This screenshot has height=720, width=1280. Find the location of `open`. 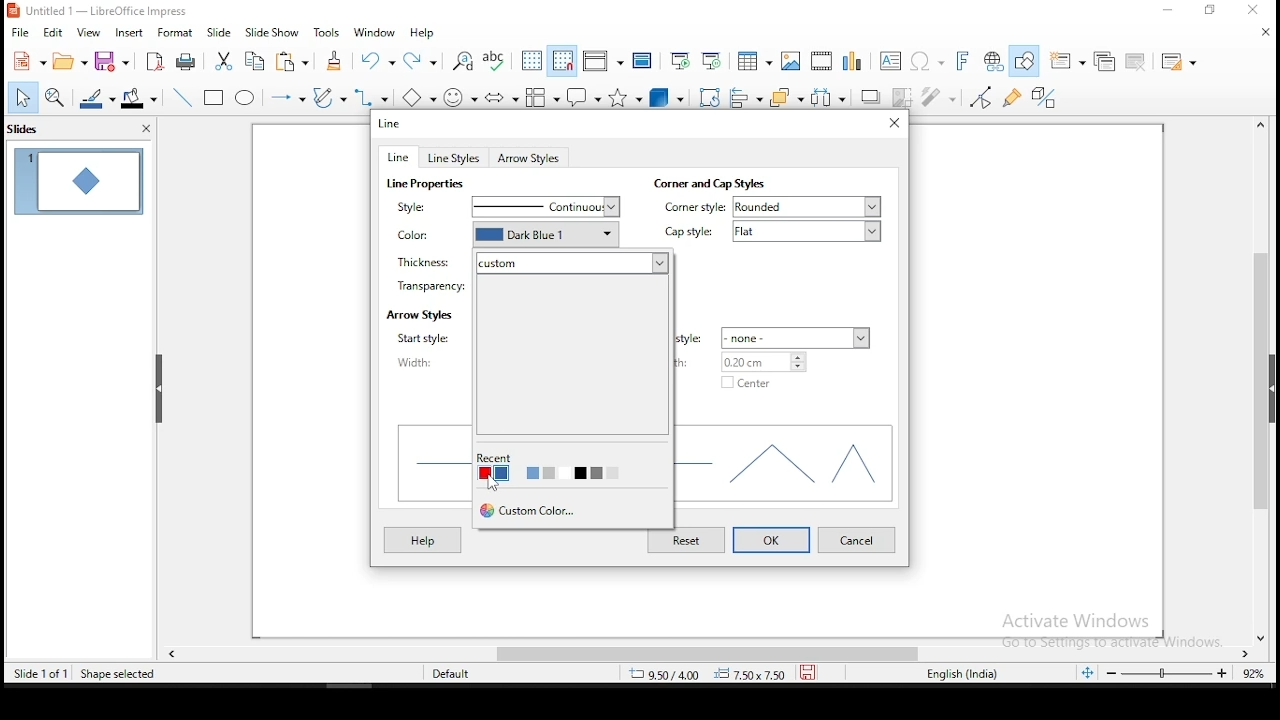

open is located at coordinates (68, 61).